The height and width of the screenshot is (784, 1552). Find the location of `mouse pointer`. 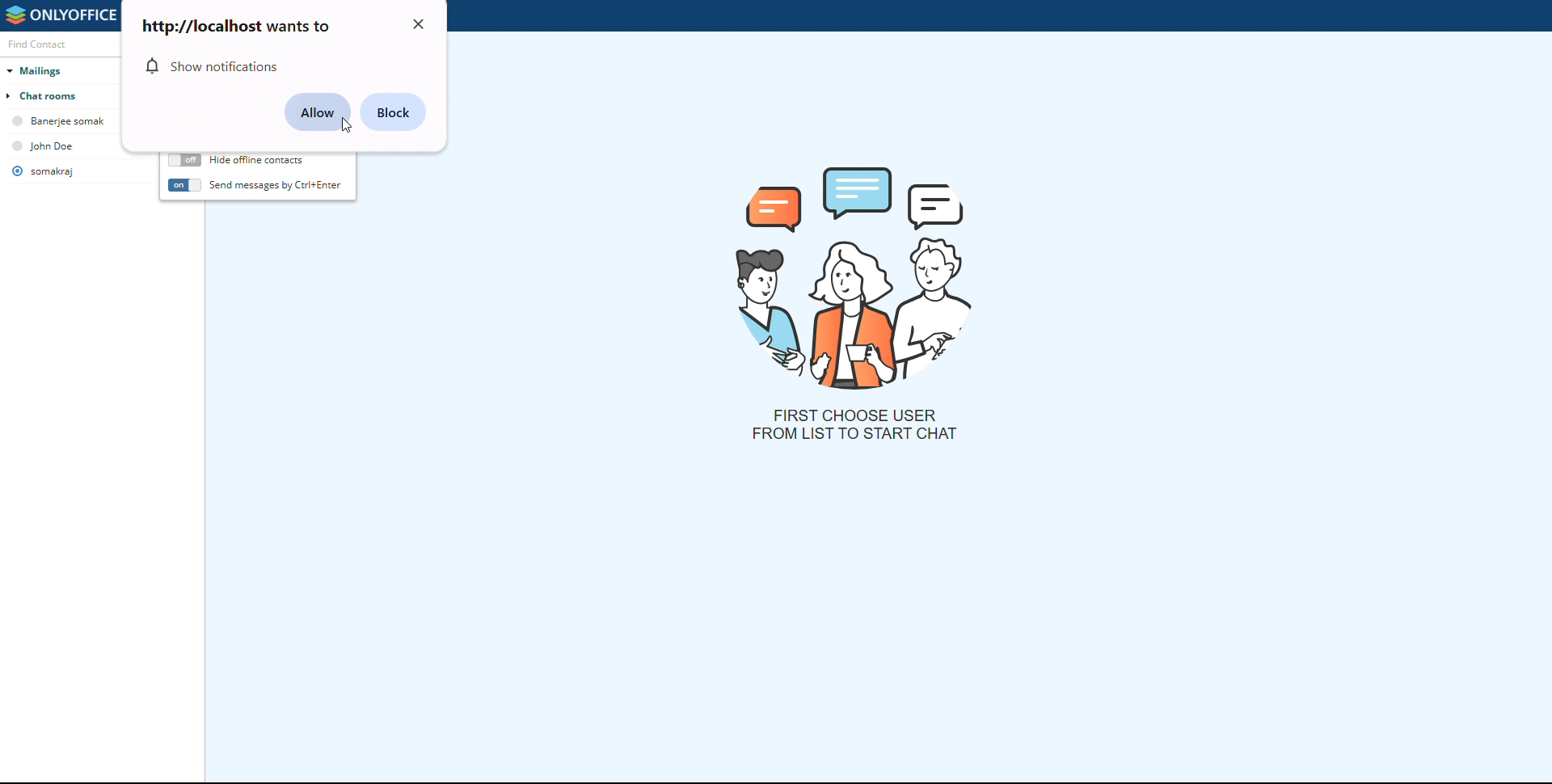

mouse pointer is located at coordinates (343, 125).